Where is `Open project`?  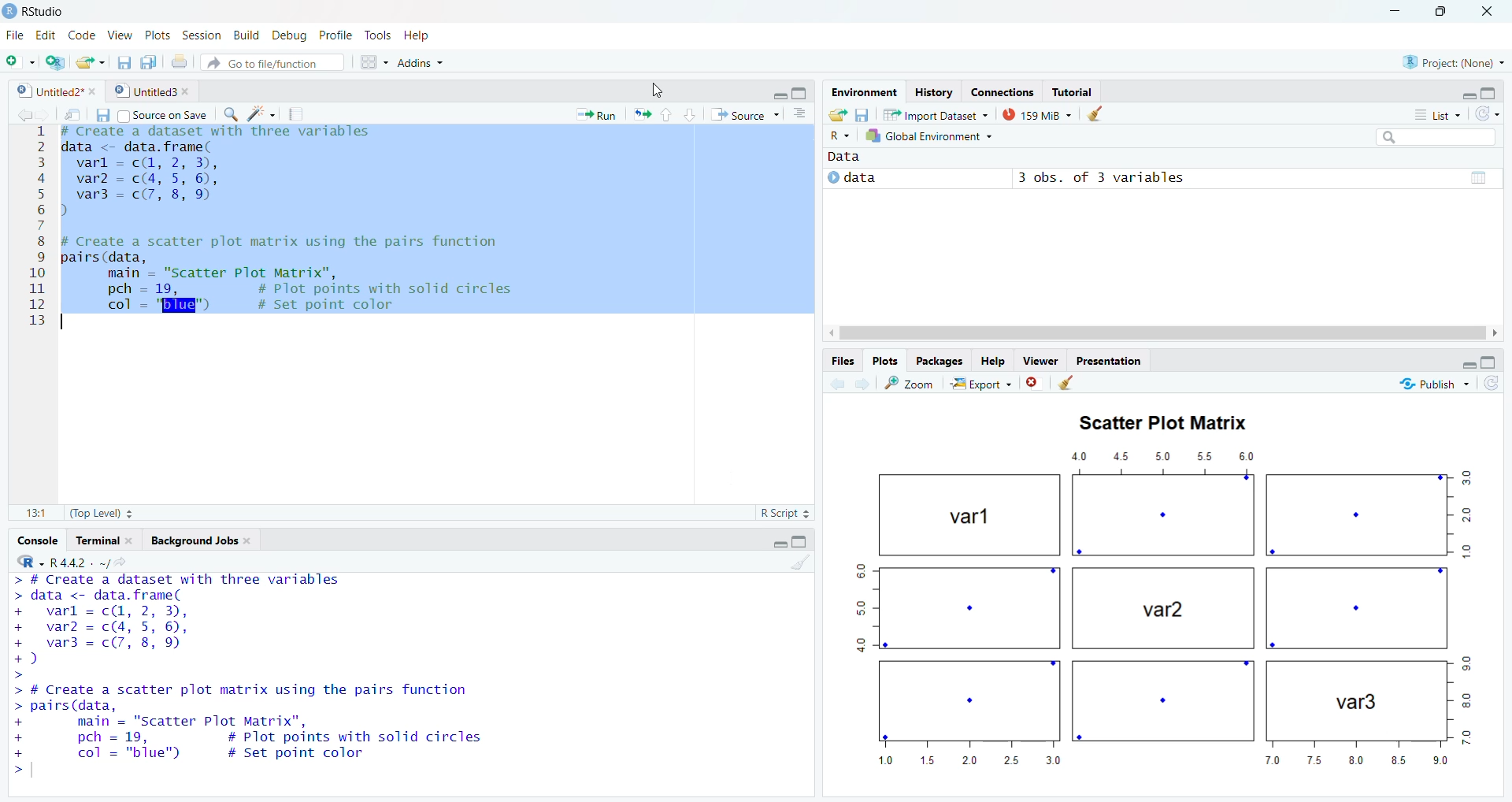 Open project is located at coordinates (91, 59).